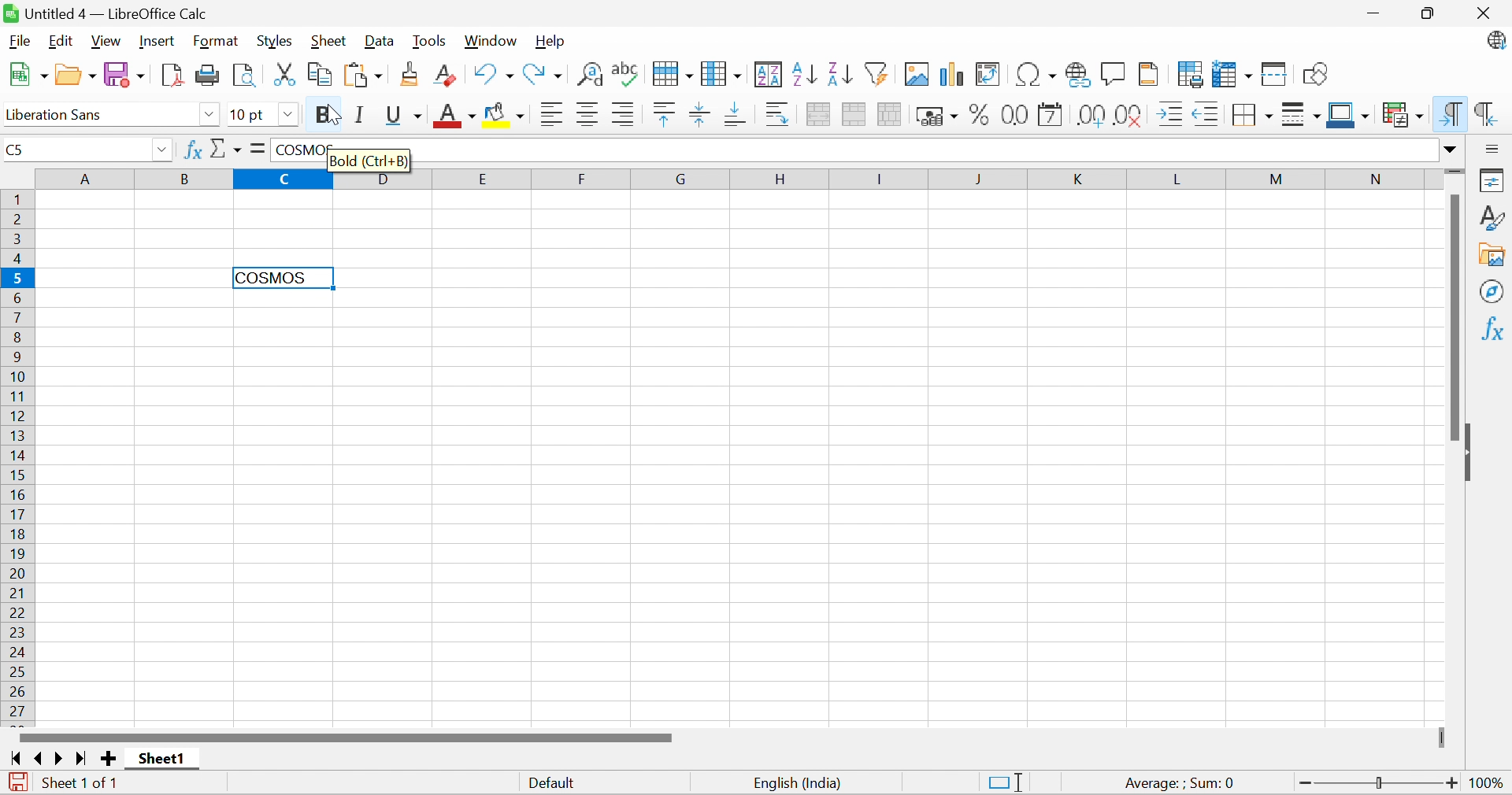 The width and height of the screenshot is (1512, 795). I want to click on COSMOS, so click(284, 278).